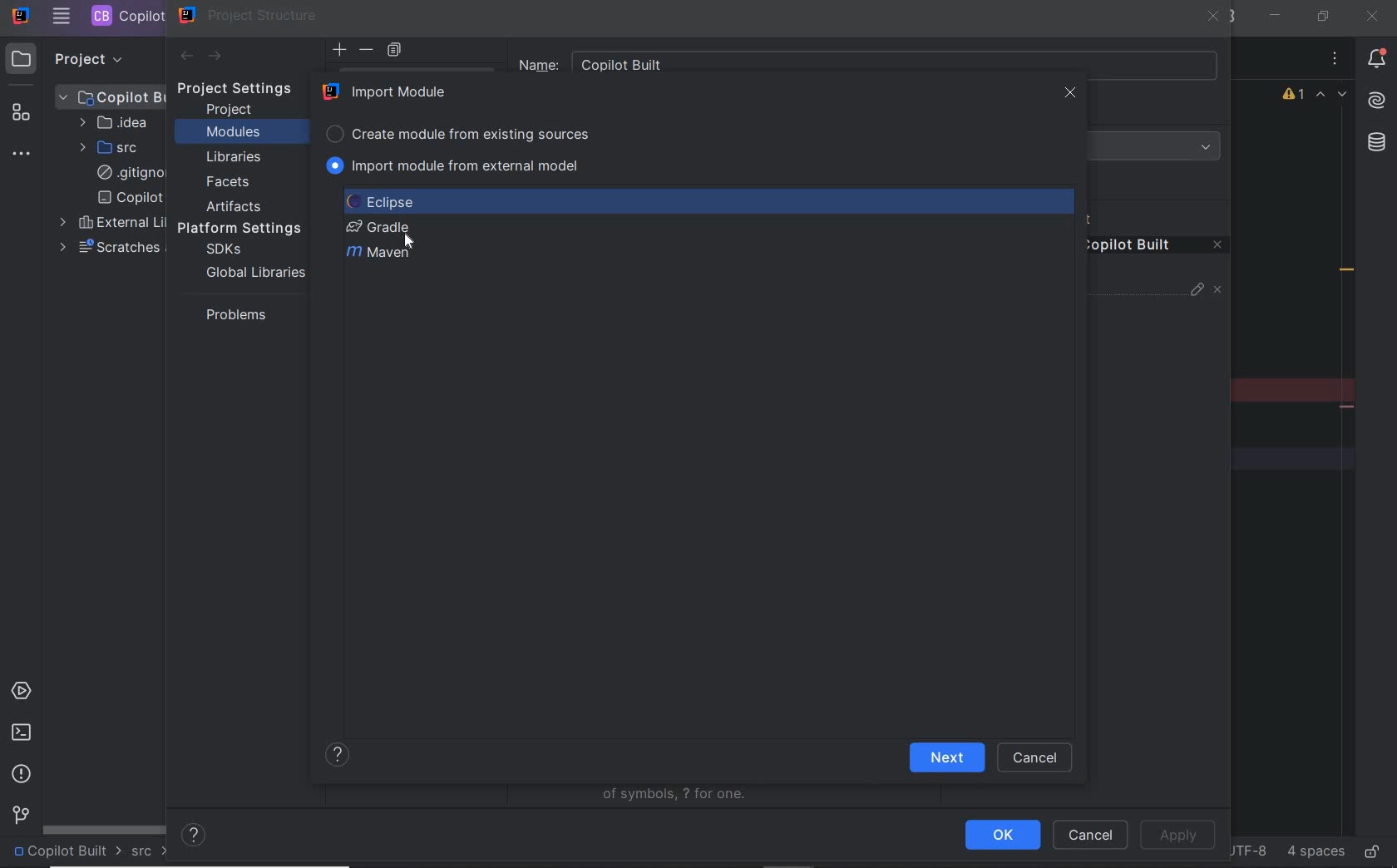 This screenshot has height=868, width=1397. What do you see at coordinates (1221, 290) in the screenshot?
I see `unmark source` at bounding box center [1221, 290].